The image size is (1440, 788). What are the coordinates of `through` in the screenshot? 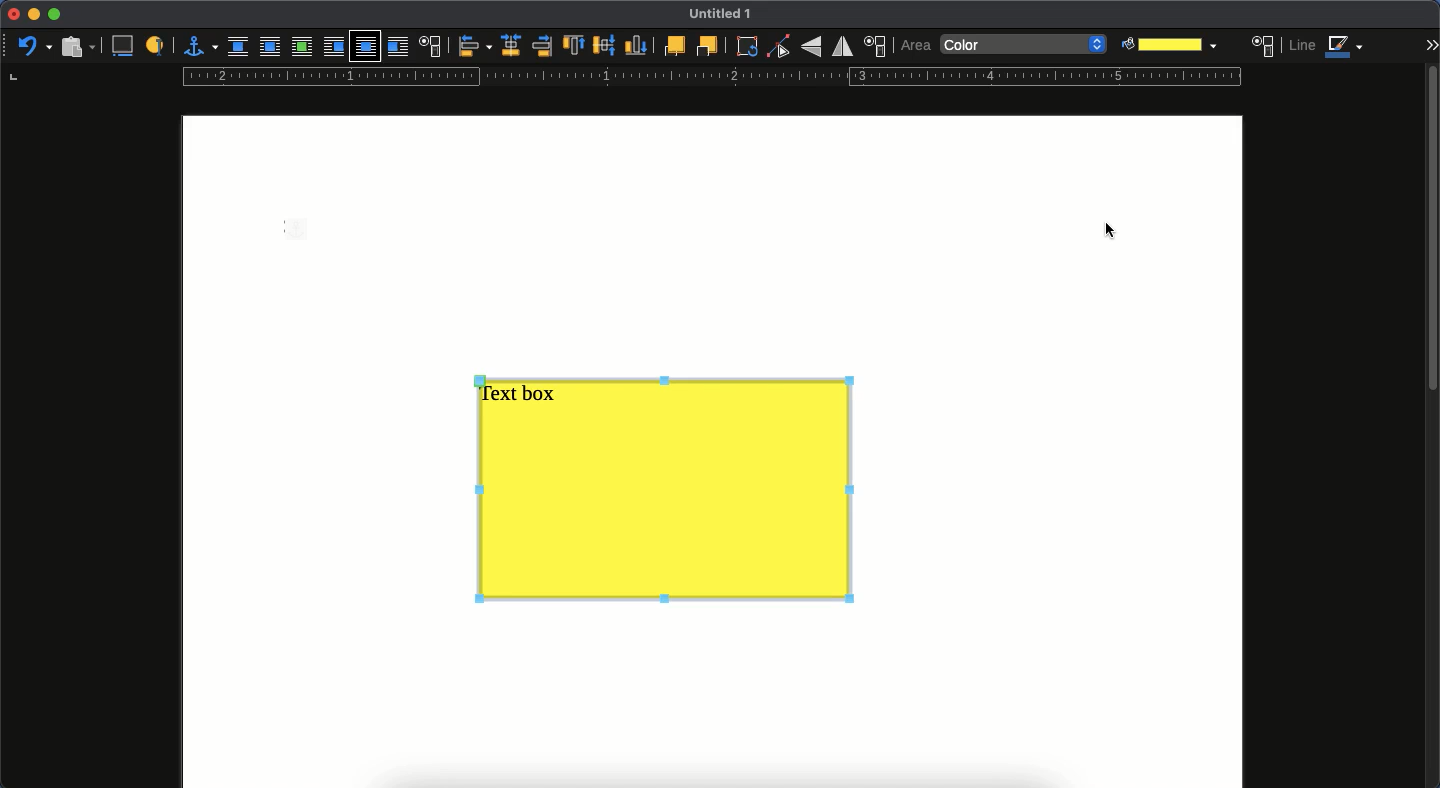 It's located at (366, 47).